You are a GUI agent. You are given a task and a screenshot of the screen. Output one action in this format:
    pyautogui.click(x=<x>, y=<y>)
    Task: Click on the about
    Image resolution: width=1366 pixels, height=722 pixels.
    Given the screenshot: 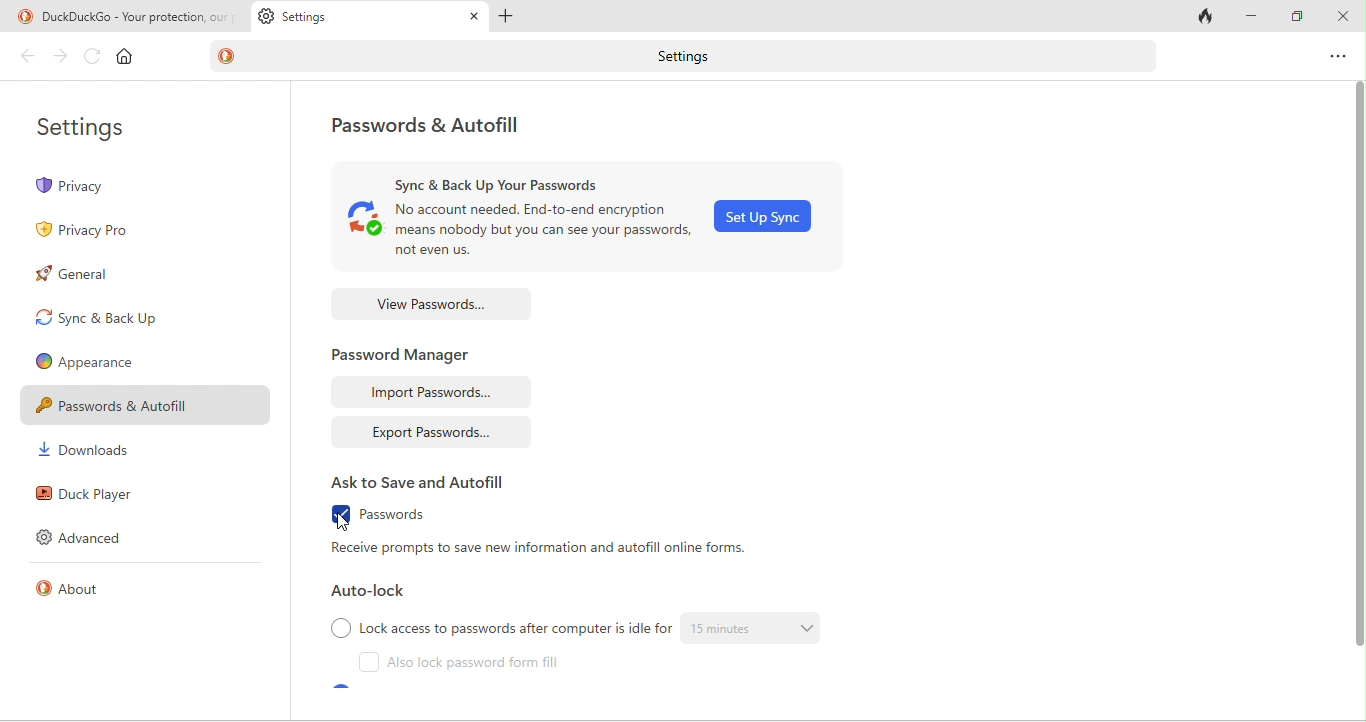 What is the action you would take?
    pyautogui.click(x=76, y=590)
    